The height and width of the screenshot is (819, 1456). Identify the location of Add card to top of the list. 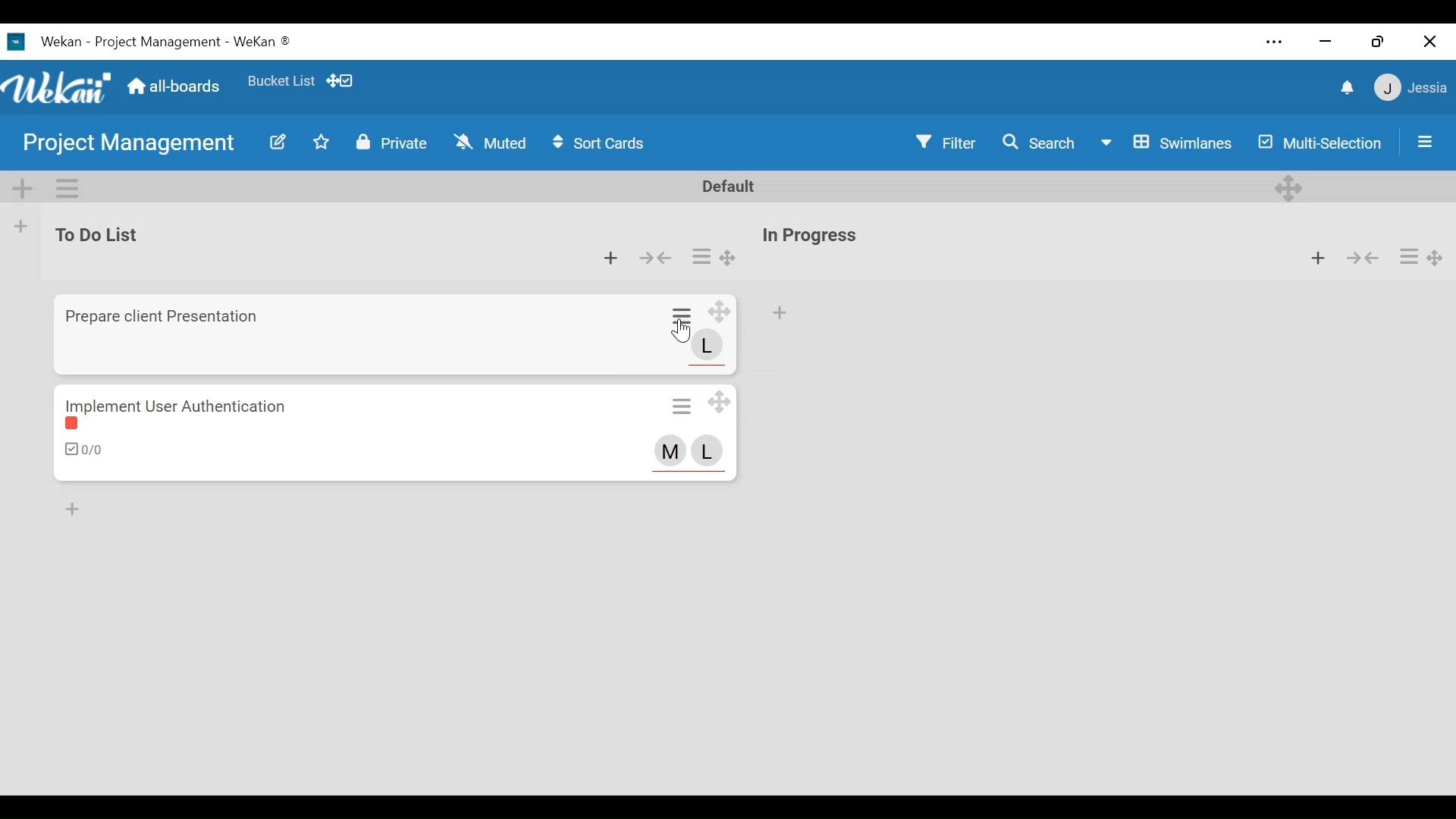
(780, 312).